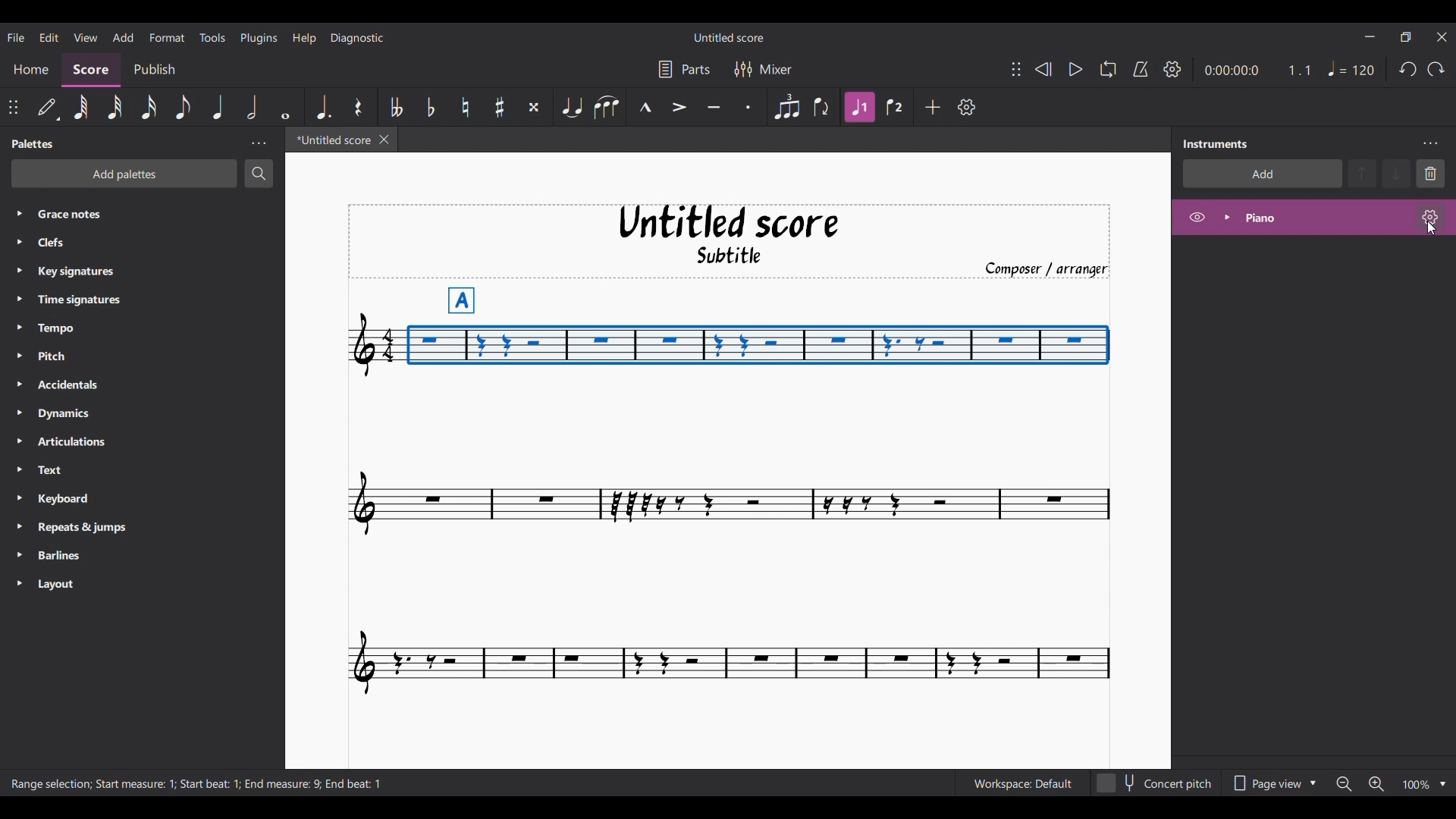  I want to click on Quarter note, so click(1351, 68).